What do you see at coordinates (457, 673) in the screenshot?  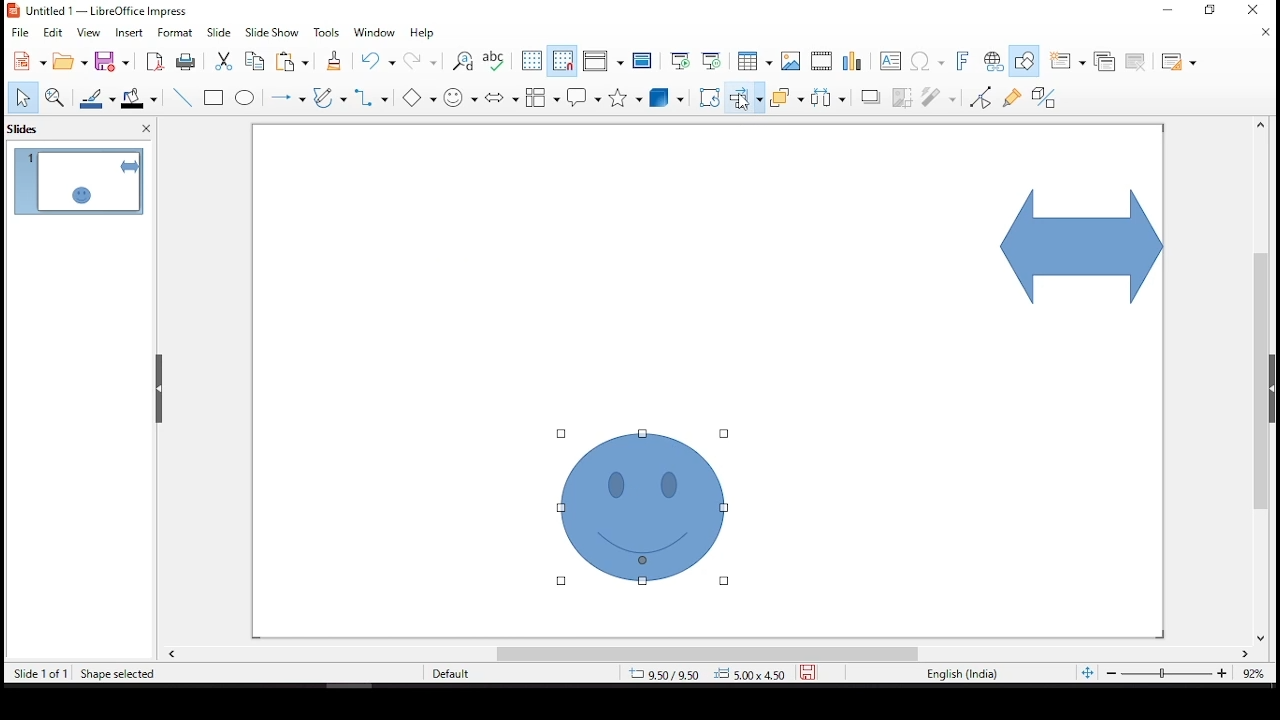 I see `default` at bounding box center [457, 673].